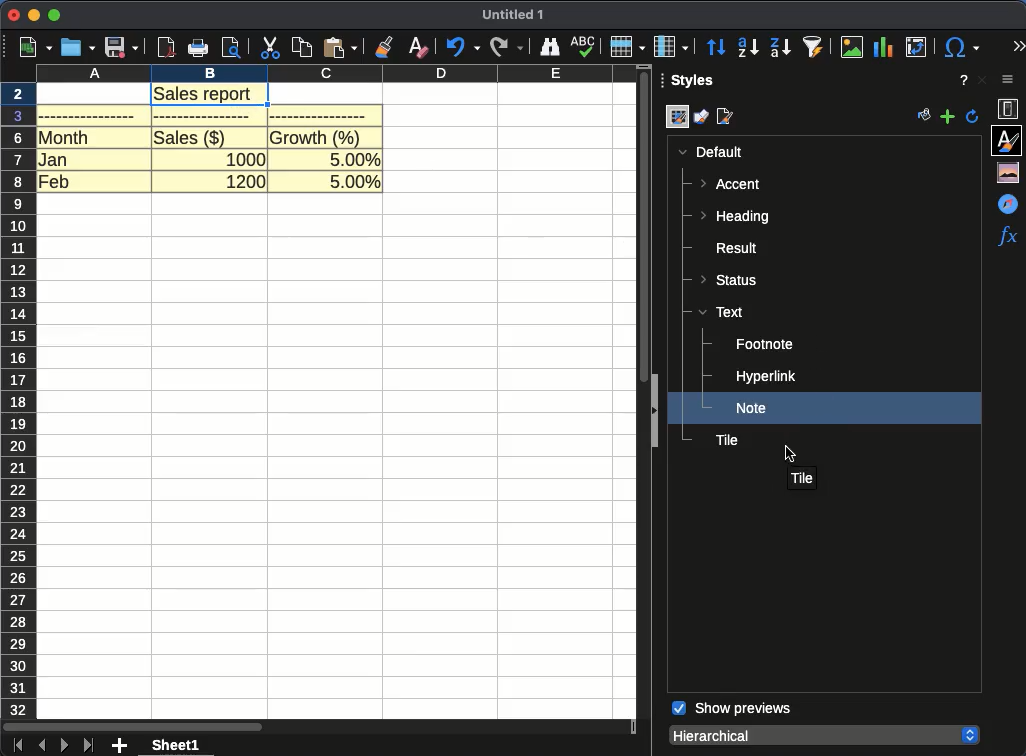 This screenshot has width=1026, height=756. I want to click on add, so click(121, 746).